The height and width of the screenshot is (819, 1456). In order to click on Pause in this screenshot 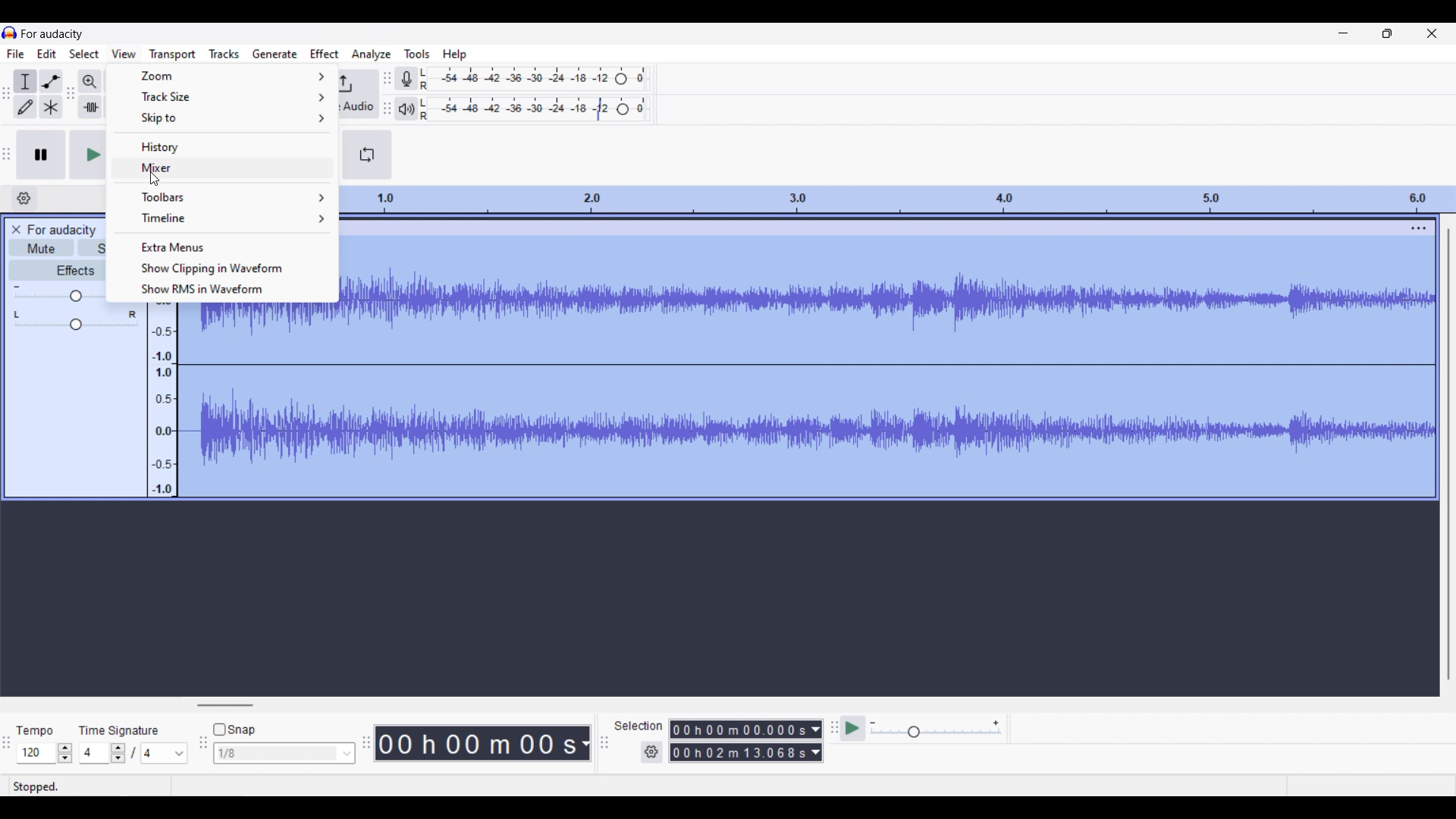, I will do `click(42, 155)`.